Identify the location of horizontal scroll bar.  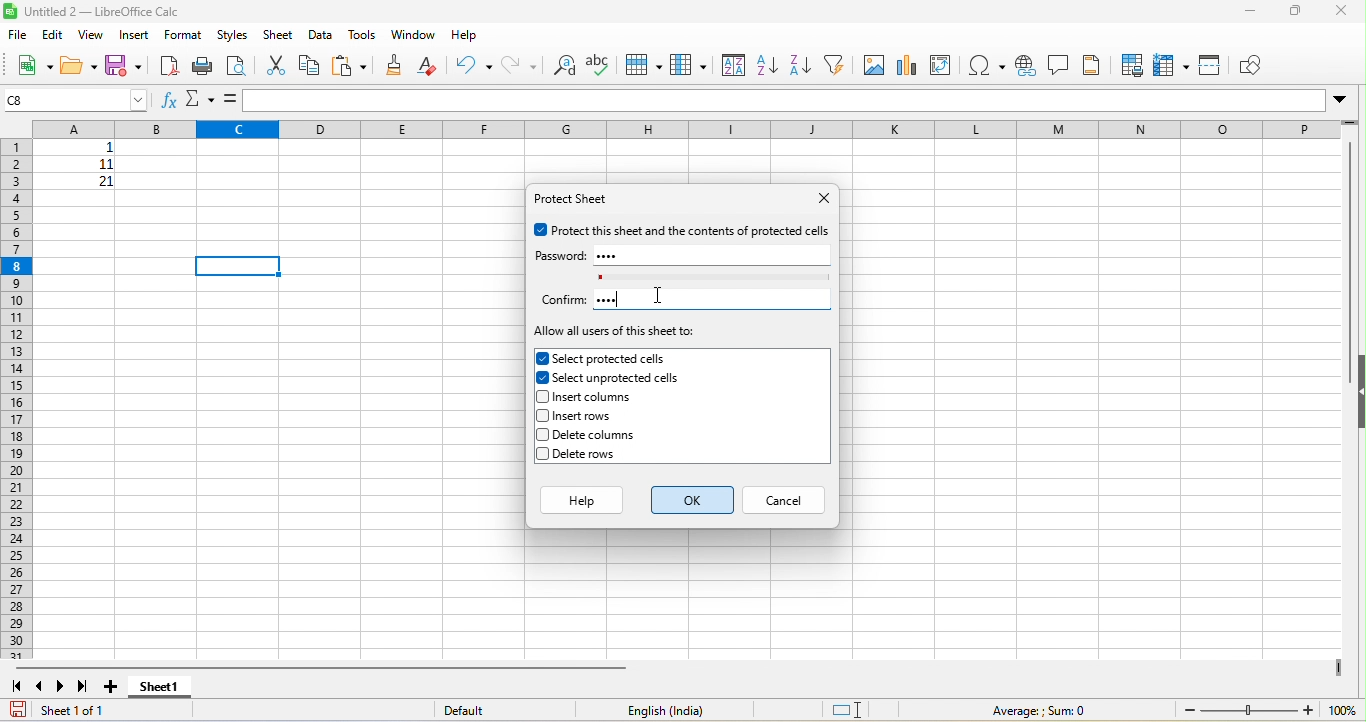
(327, 666).